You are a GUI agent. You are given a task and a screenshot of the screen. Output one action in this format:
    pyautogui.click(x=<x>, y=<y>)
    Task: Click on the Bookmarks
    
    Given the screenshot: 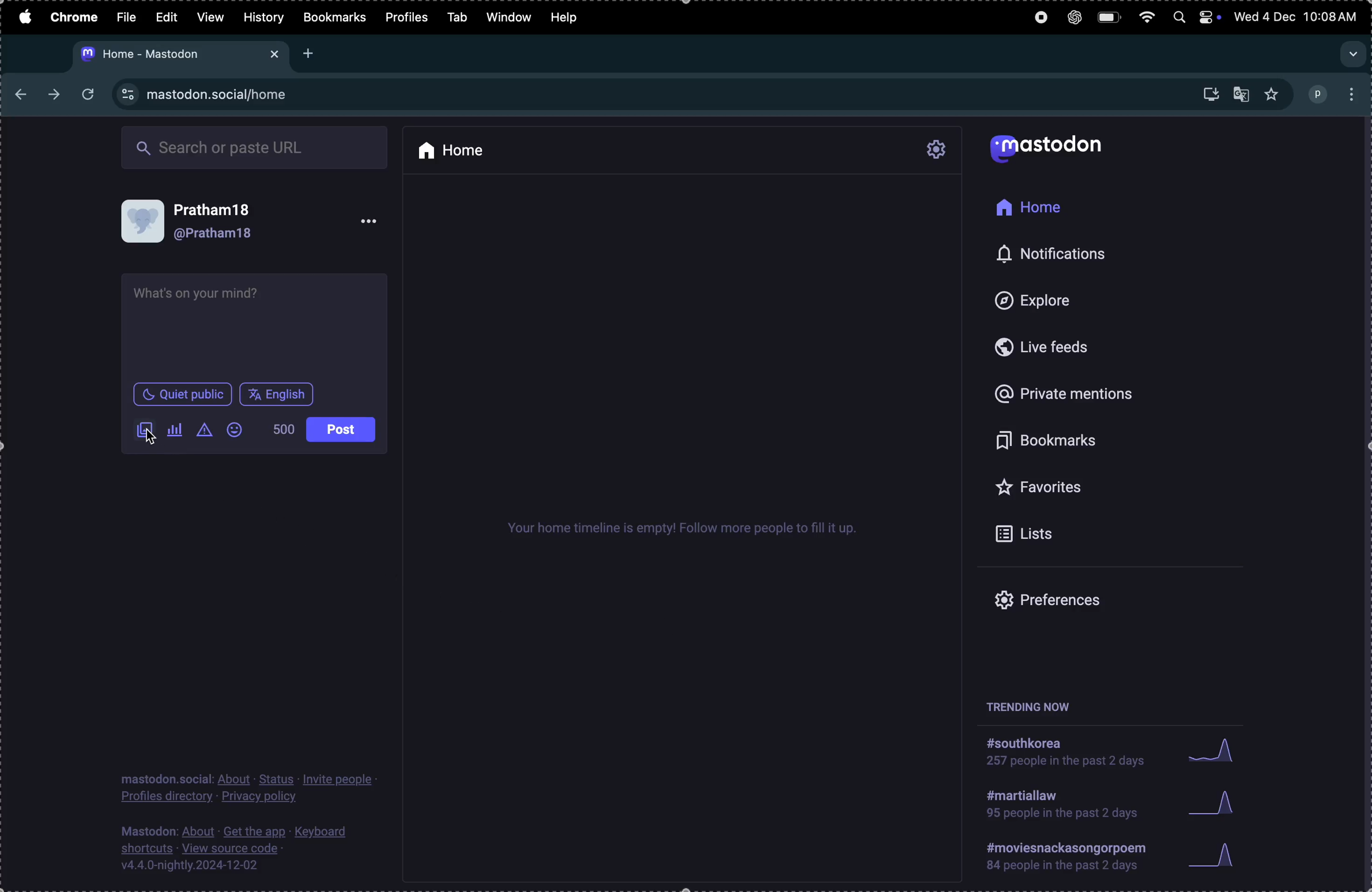 What is the action you would take?
    pyautogui.click(x=334, y=17)
    